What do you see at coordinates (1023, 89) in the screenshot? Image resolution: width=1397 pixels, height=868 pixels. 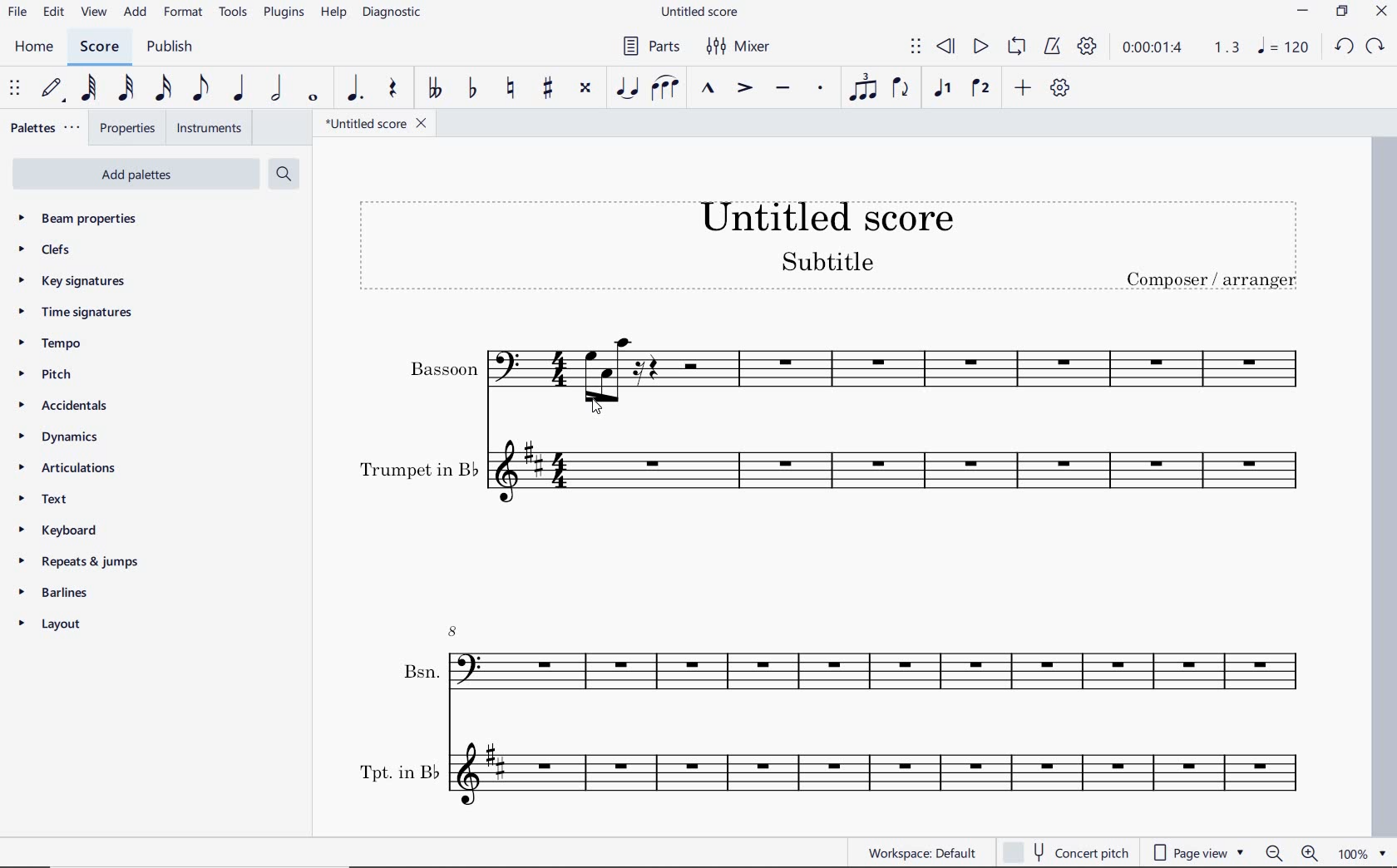 I see `add` at bounding box center [1023, 89].